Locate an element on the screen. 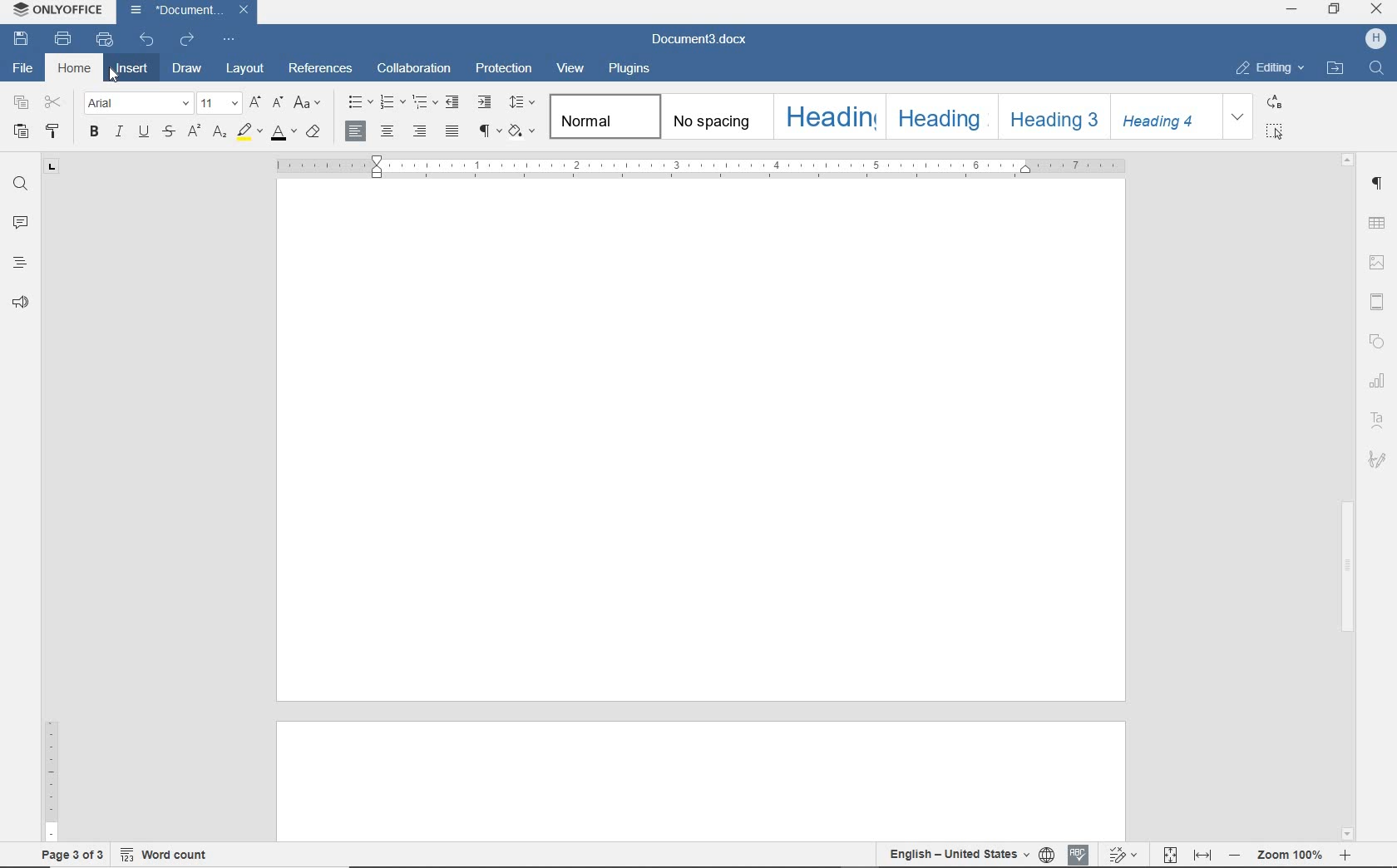 The image size is (1397, 868). Text art is located at coordinates (1378, 419).